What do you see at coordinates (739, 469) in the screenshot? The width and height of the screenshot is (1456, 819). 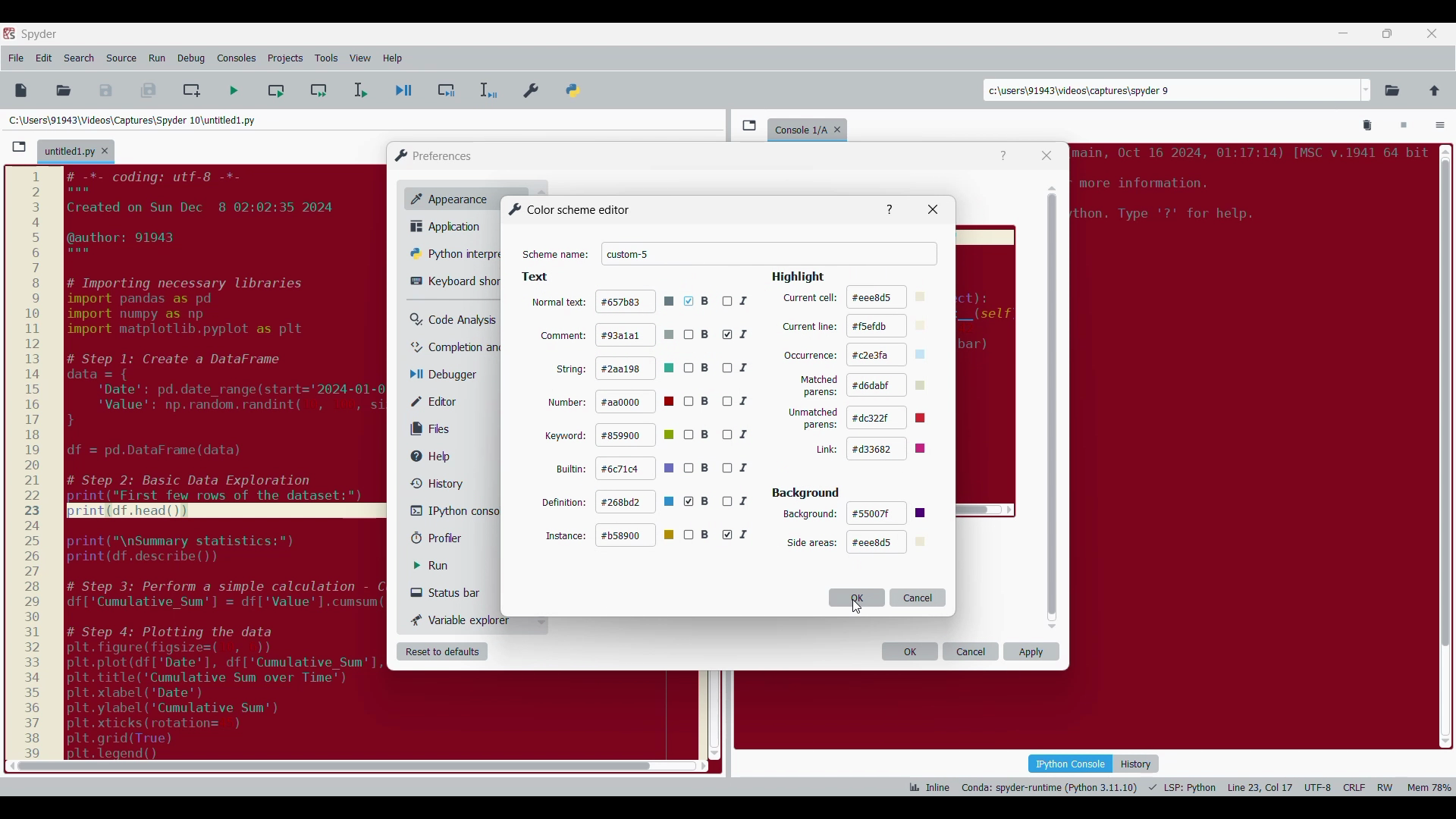 I see `I` at bounding box center [739, 469].